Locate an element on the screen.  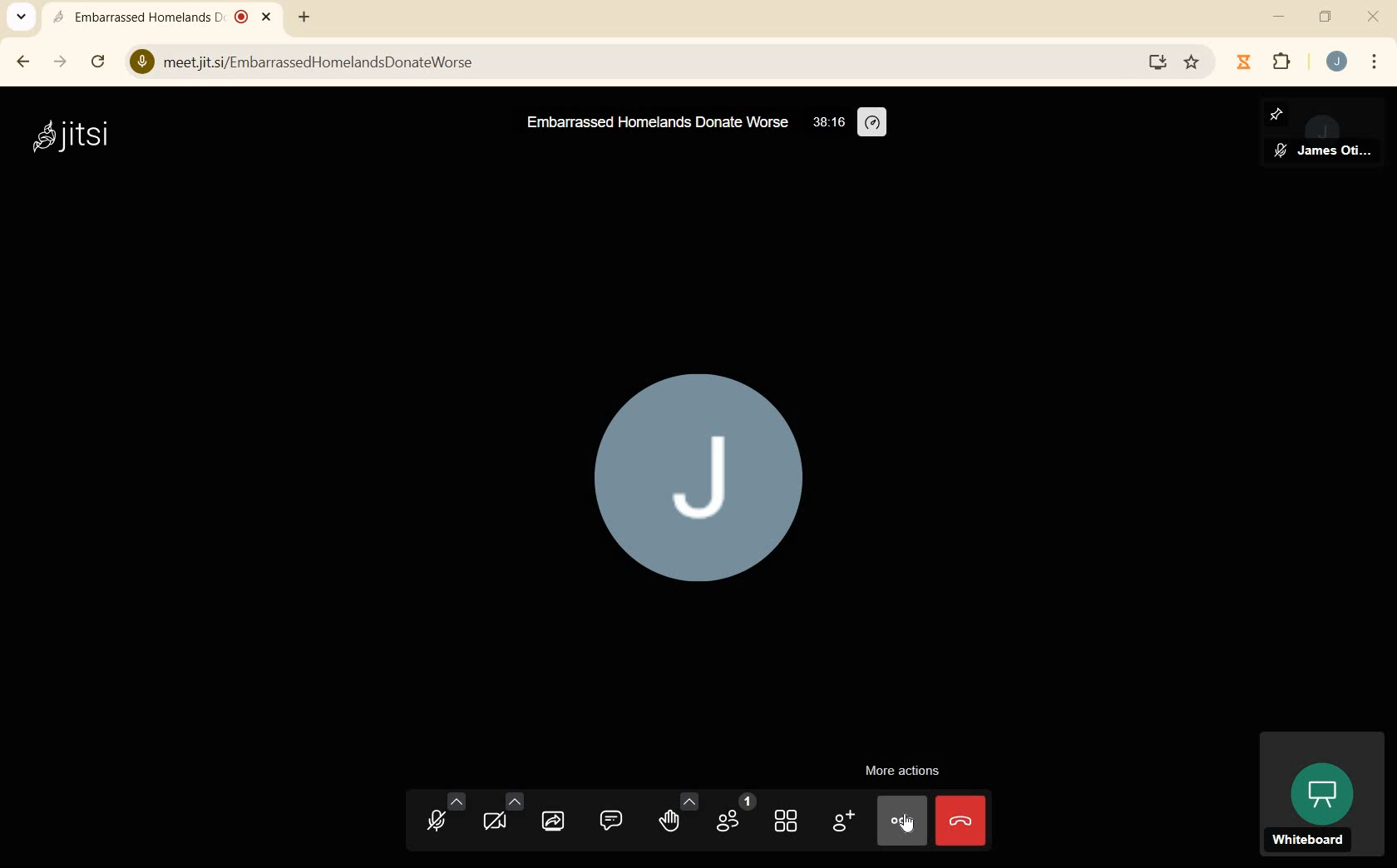
toggle tile view is located at coordinates (786, 821).